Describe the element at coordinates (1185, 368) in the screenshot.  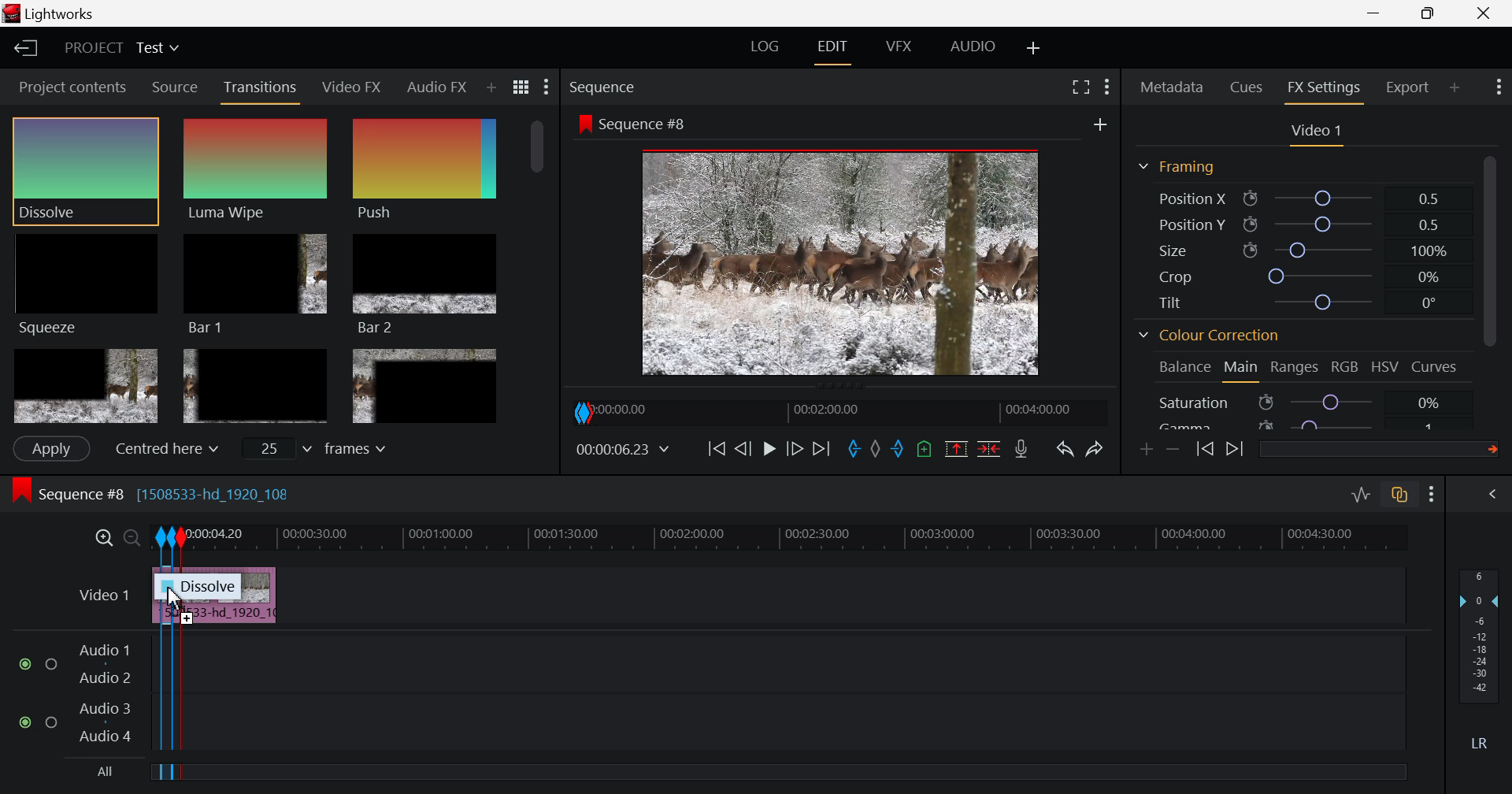
I see `Balance` at that location.